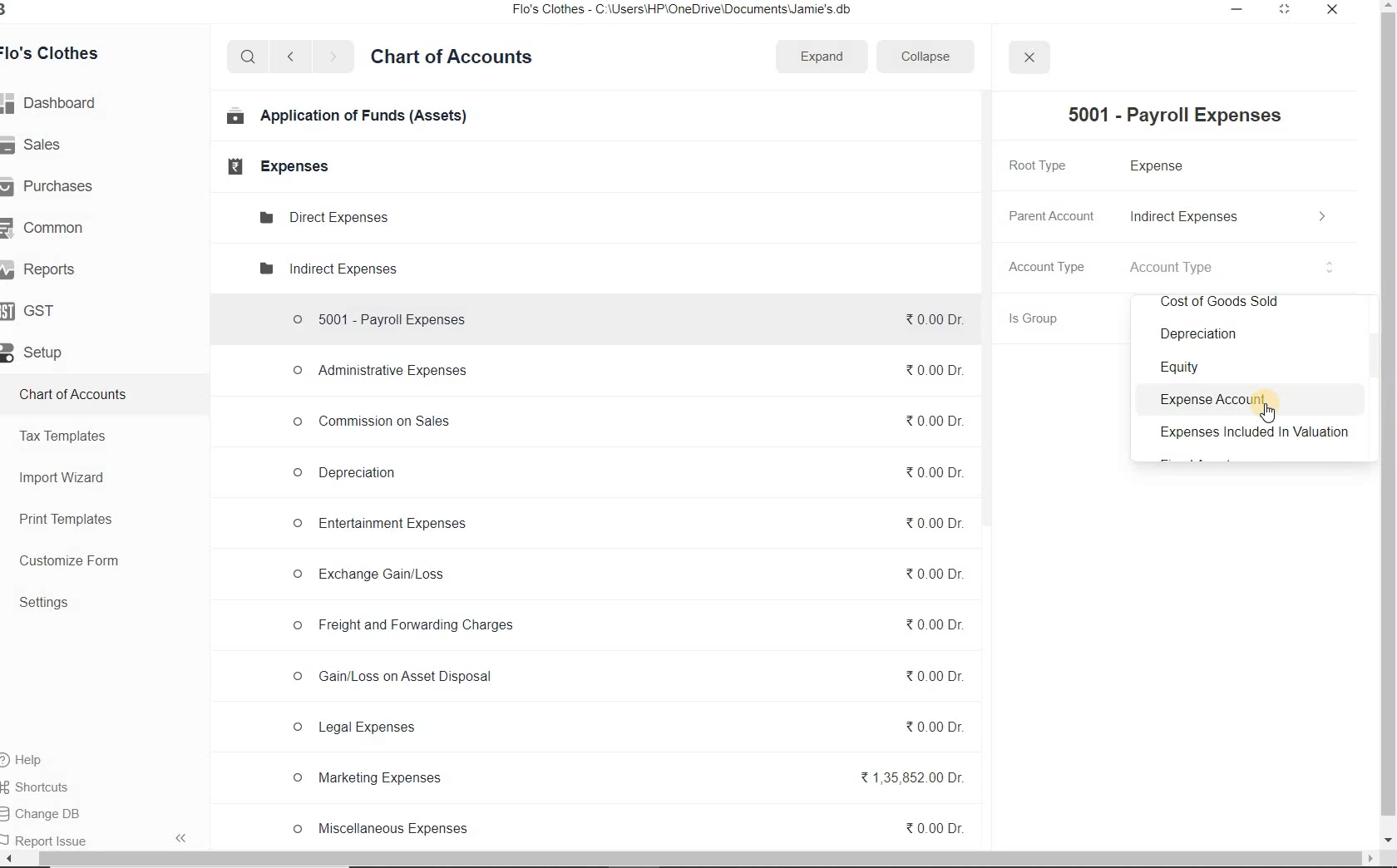  Describe the element at coordinates (990, 310) in the screenshot. I see `vertical scrollbar` at that location.